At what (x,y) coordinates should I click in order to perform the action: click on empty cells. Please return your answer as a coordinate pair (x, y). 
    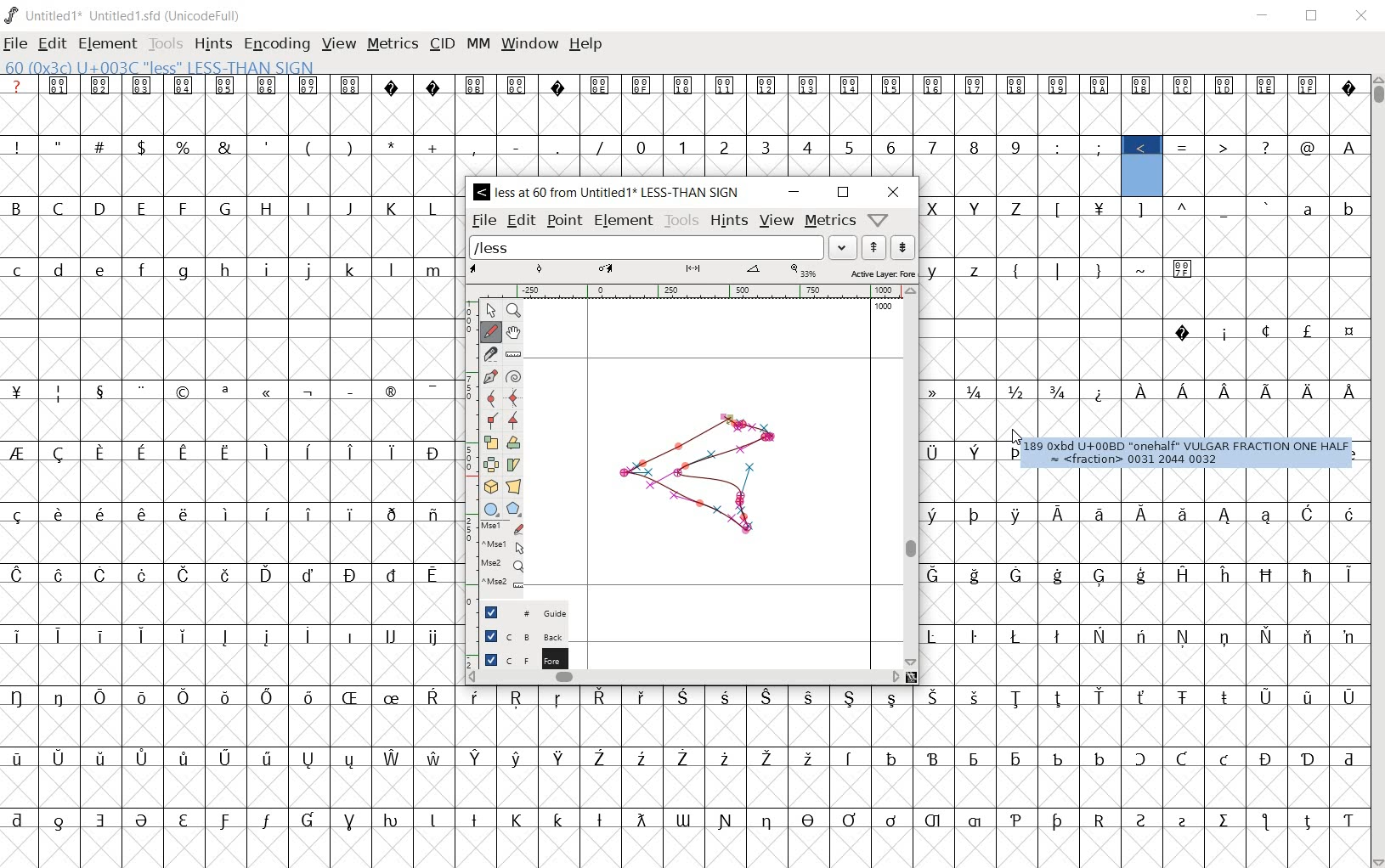
    Looking at the image, I should click on (229, 421).